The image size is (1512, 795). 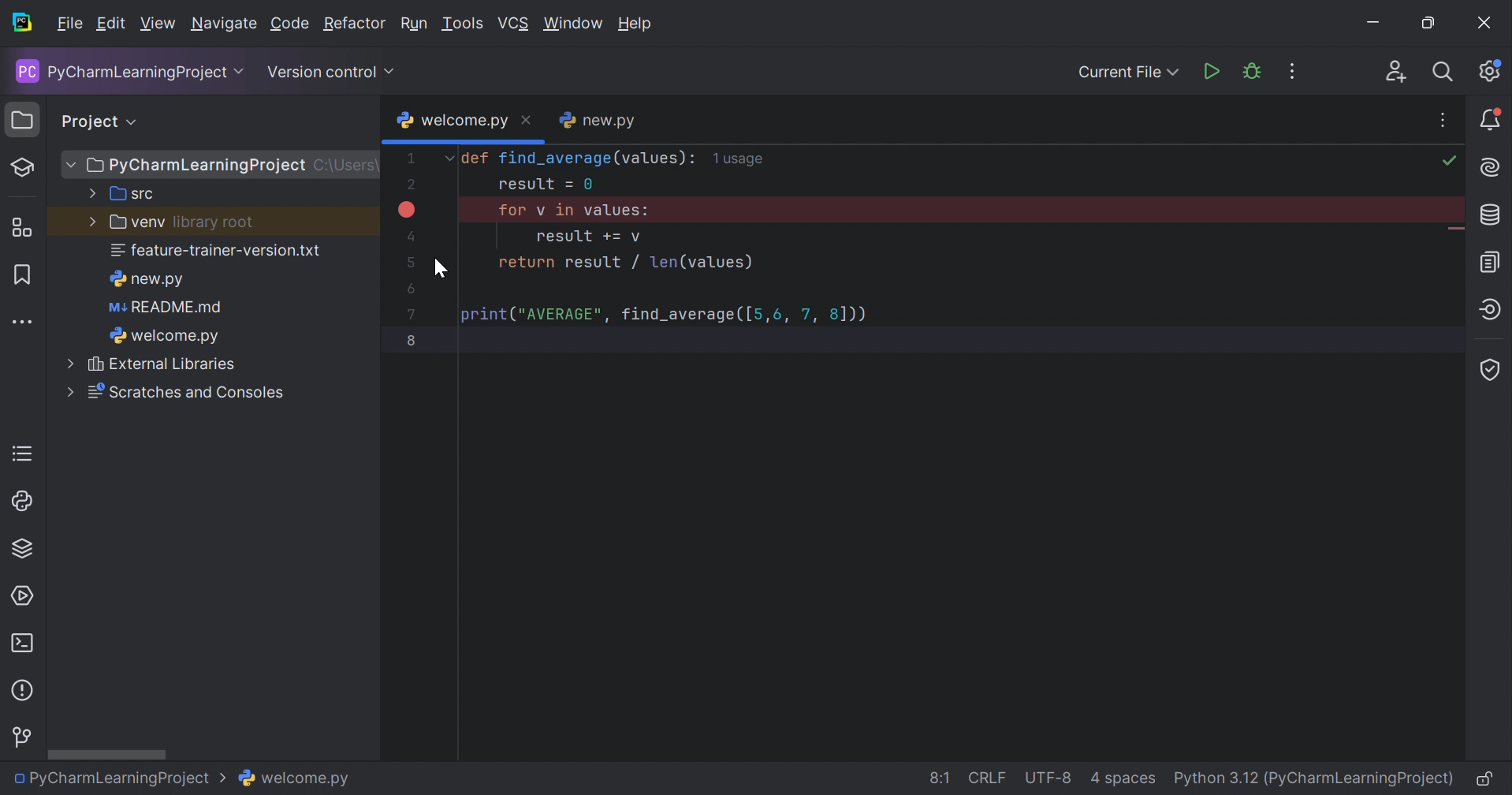 I want to click on Python Console, so click(x=19, y=502).